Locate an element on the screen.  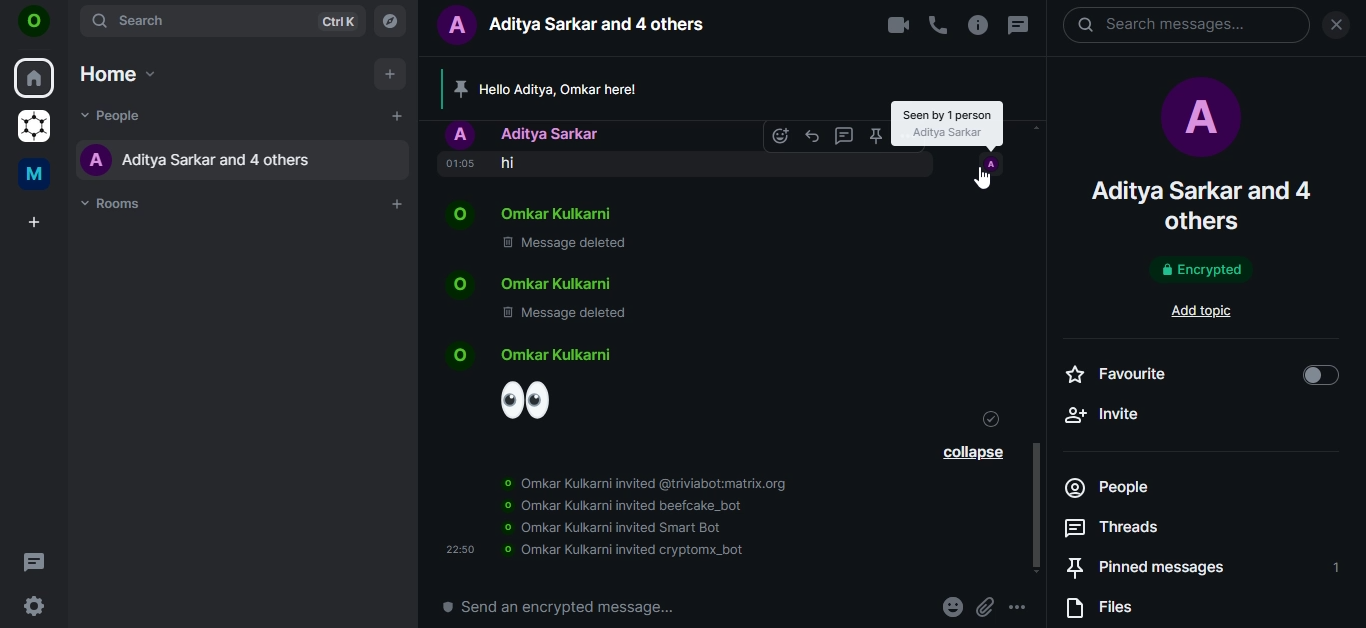
add room is located at coordinates (398, 204).